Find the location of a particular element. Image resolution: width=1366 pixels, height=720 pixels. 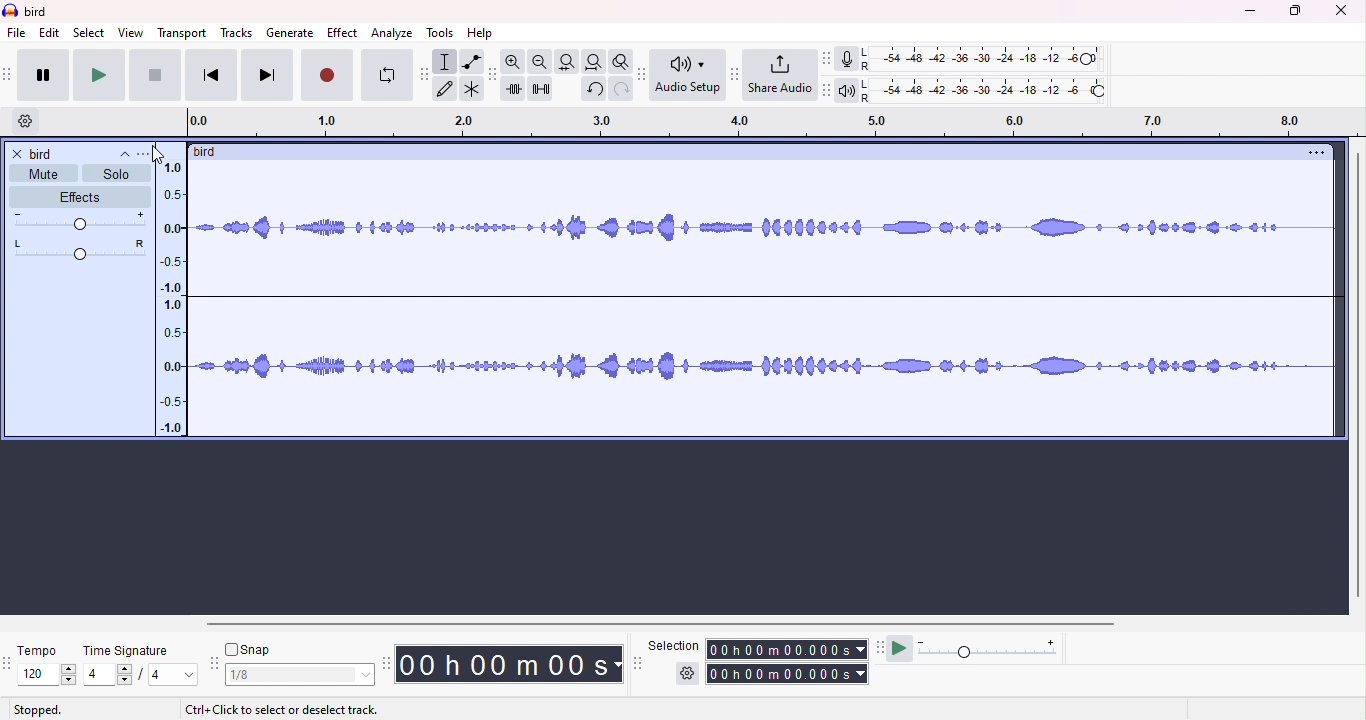

volume is located at coordinates (79, 221).